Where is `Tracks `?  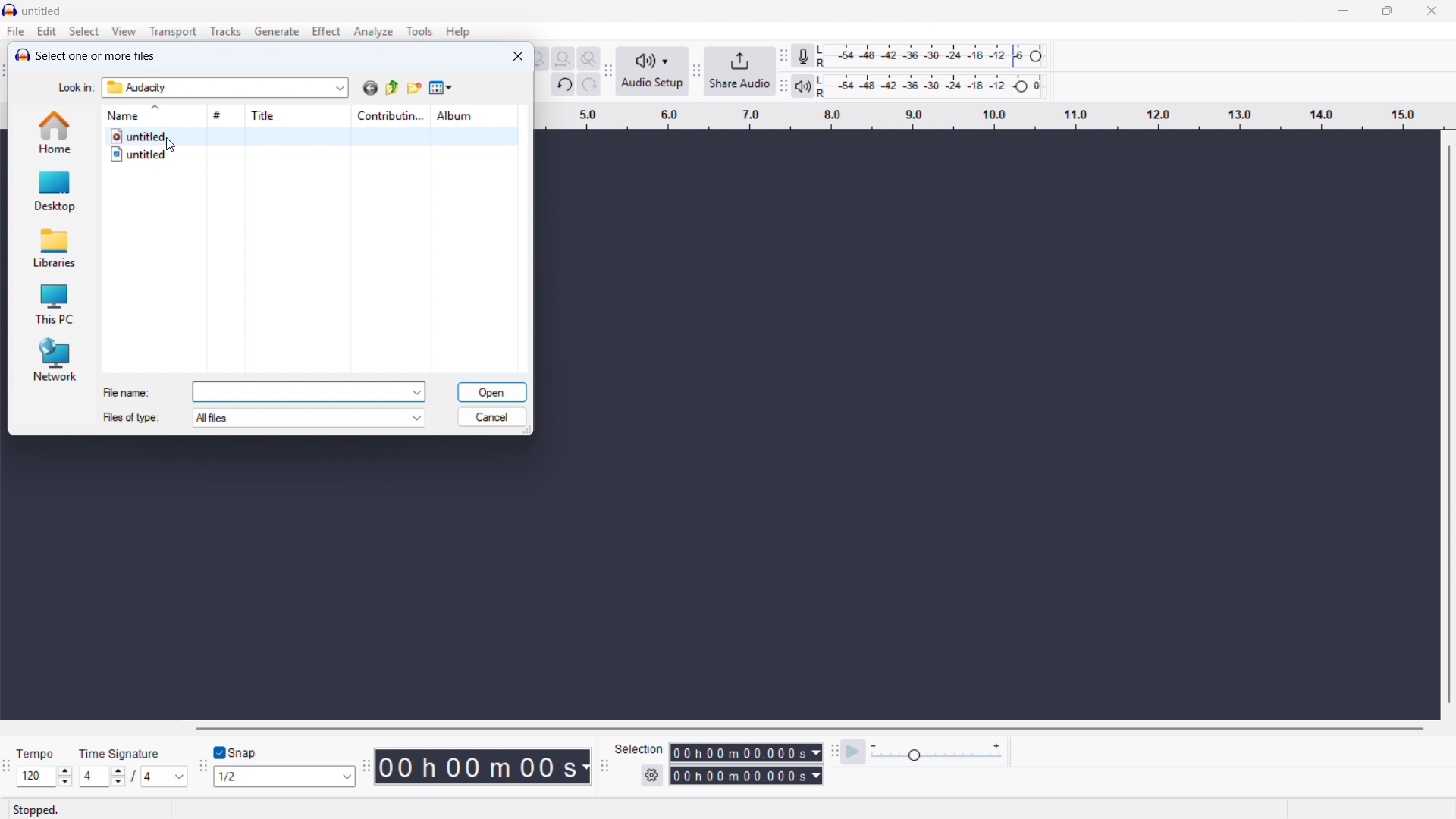
Tracks  is located at coordinates (226, 30).